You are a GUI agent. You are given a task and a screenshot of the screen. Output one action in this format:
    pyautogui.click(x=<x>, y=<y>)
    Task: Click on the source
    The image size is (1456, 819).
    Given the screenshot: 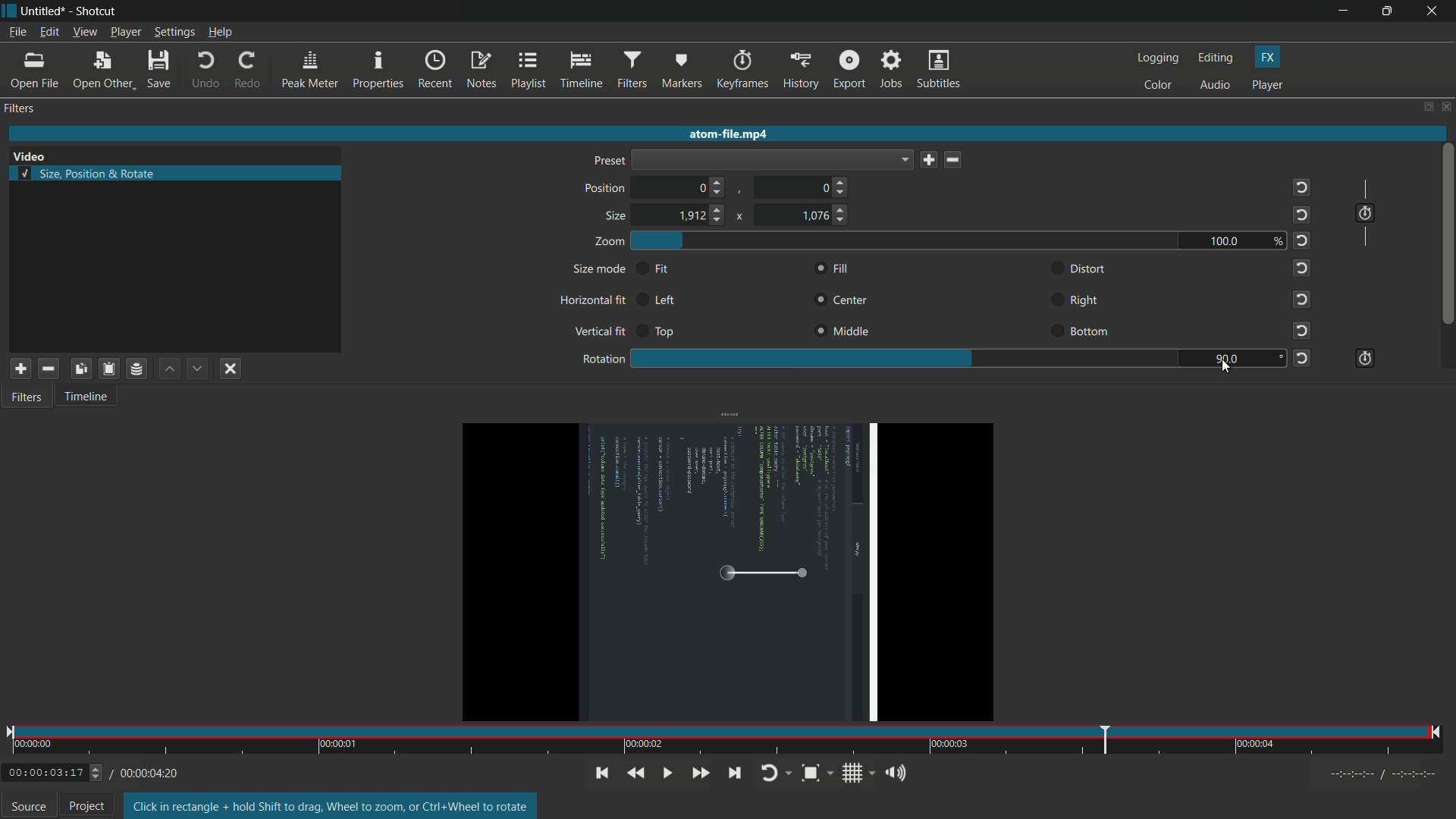 What is the action you would take?
    pyautogui.click(x=29, y=807)
    